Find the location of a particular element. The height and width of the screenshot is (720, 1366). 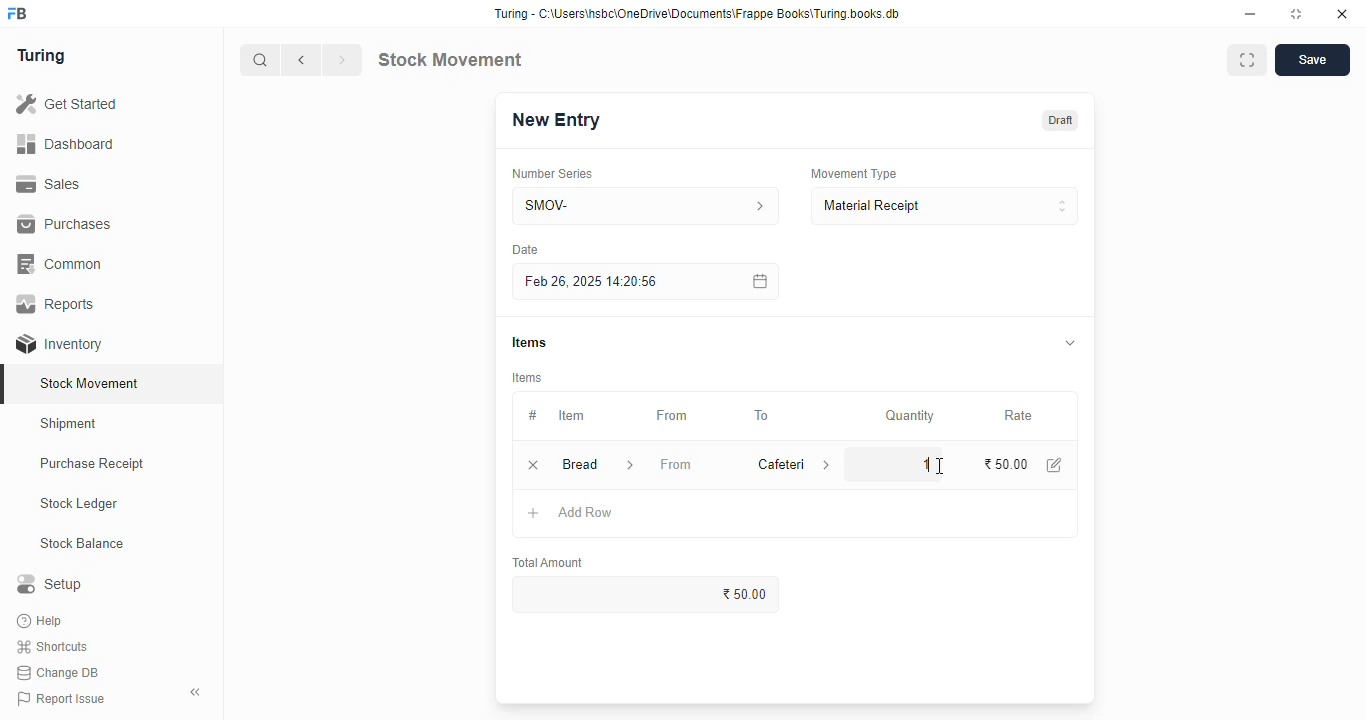

help is located at coordinates (42, 621).